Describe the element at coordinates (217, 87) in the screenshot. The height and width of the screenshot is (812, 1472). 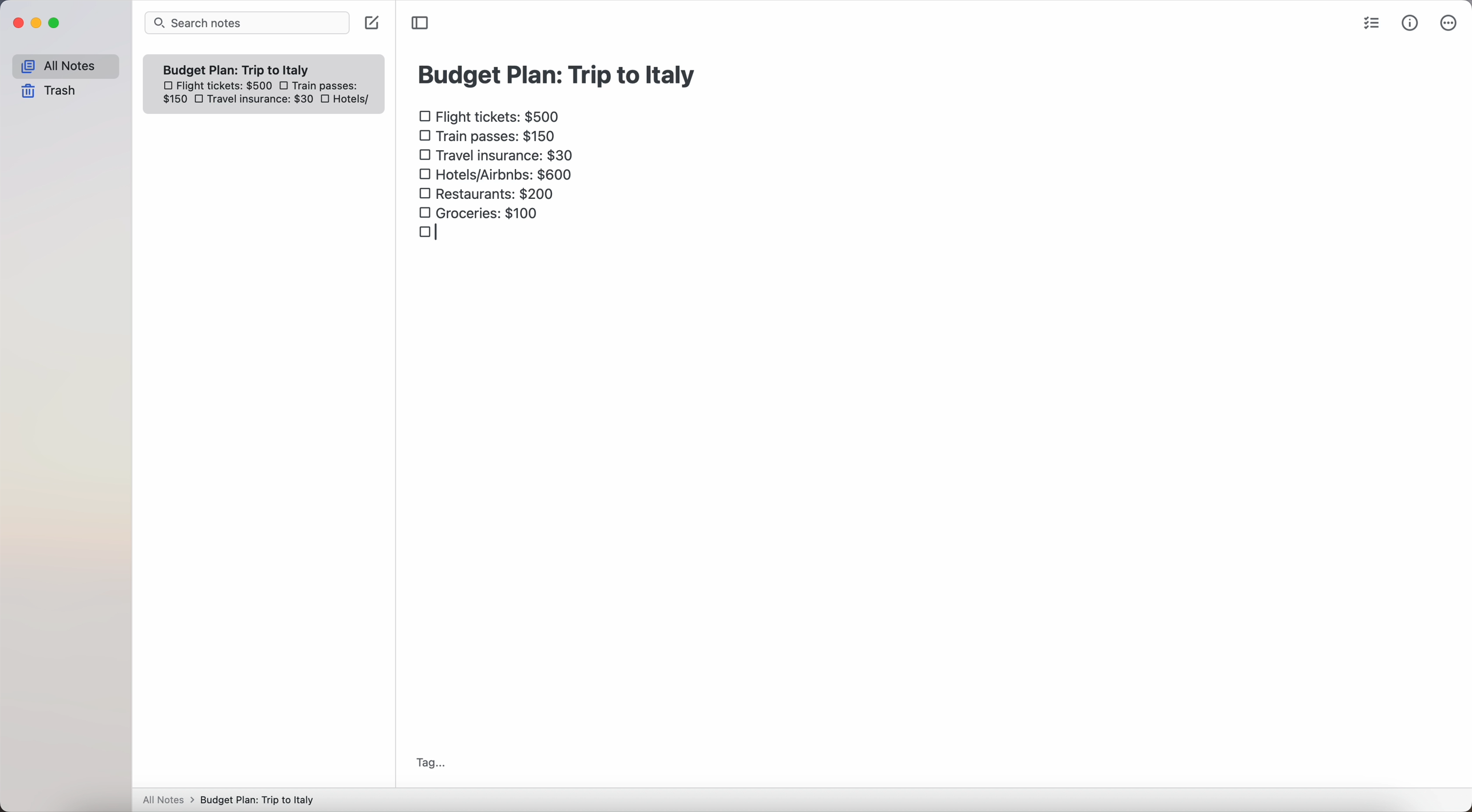
I see `flight tickets: $500` at that location.